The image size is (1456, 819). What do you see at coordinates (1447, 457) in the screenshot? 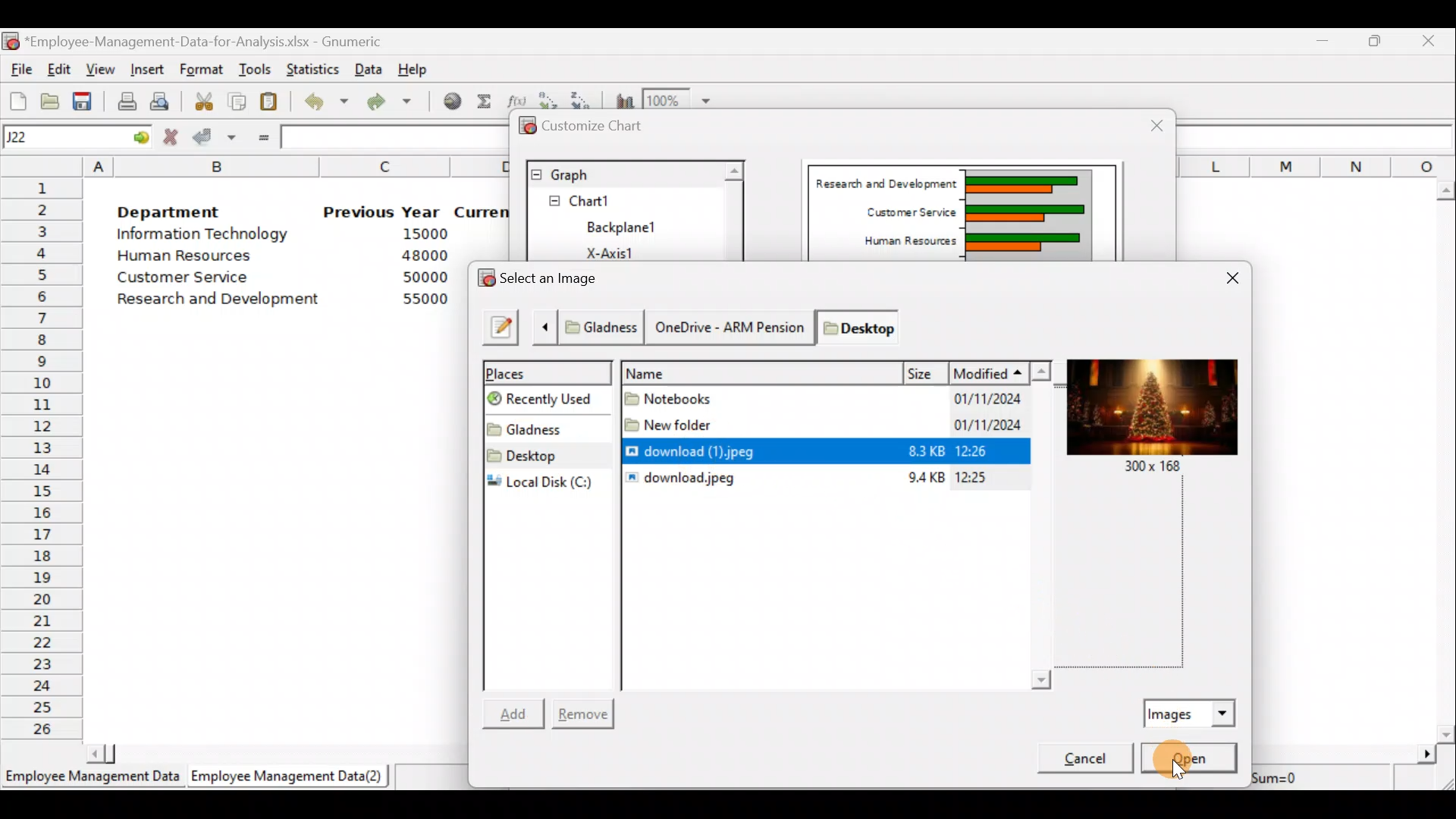
I see `Scroll bar` at bounding box center [1447, 457].